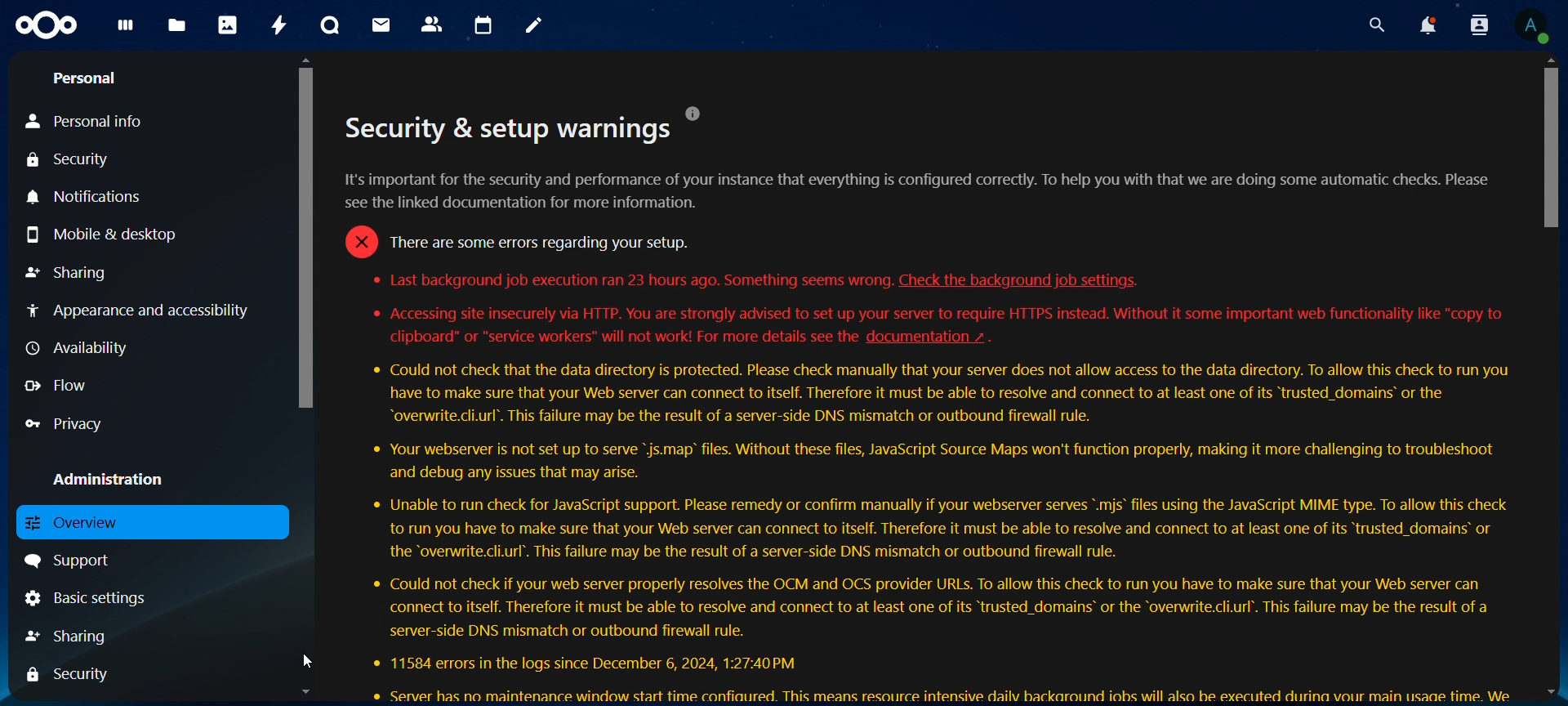 This screenshot has height=706, width=1568. Describe the element at coordinates (1543, 378) in the screenshot. I see `Scrollbar` at that location.